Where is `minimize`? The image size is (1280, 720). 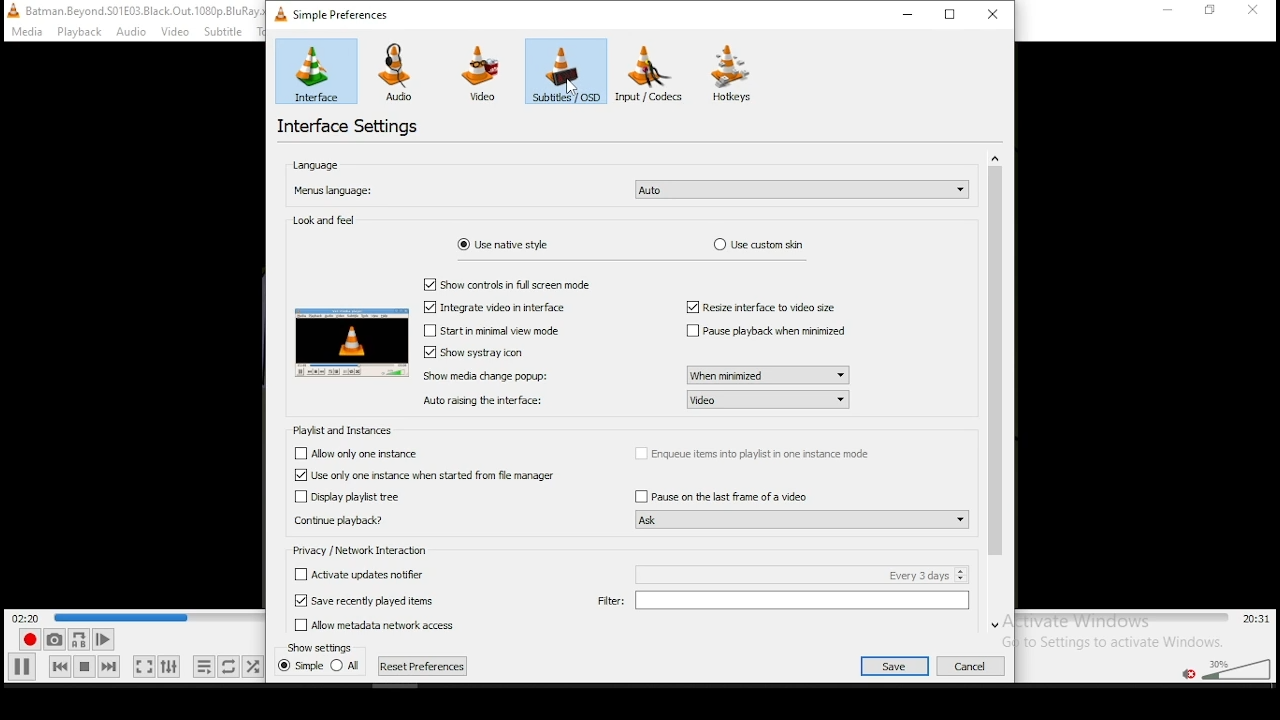
minimize is located at coordinates (907, 13).